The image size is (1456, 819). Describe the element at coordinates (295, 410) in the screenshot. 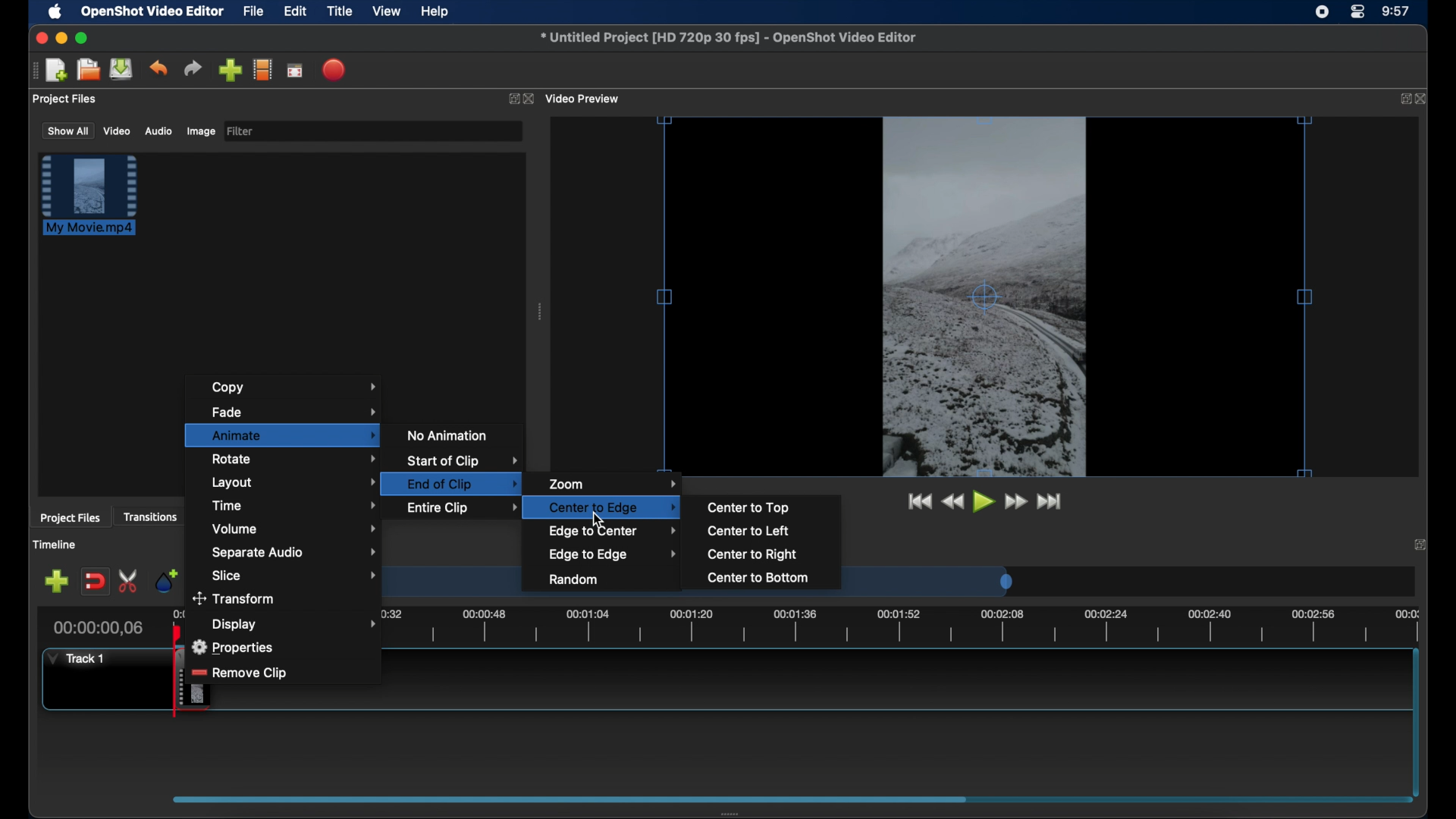

I see `fade menu` at that location.